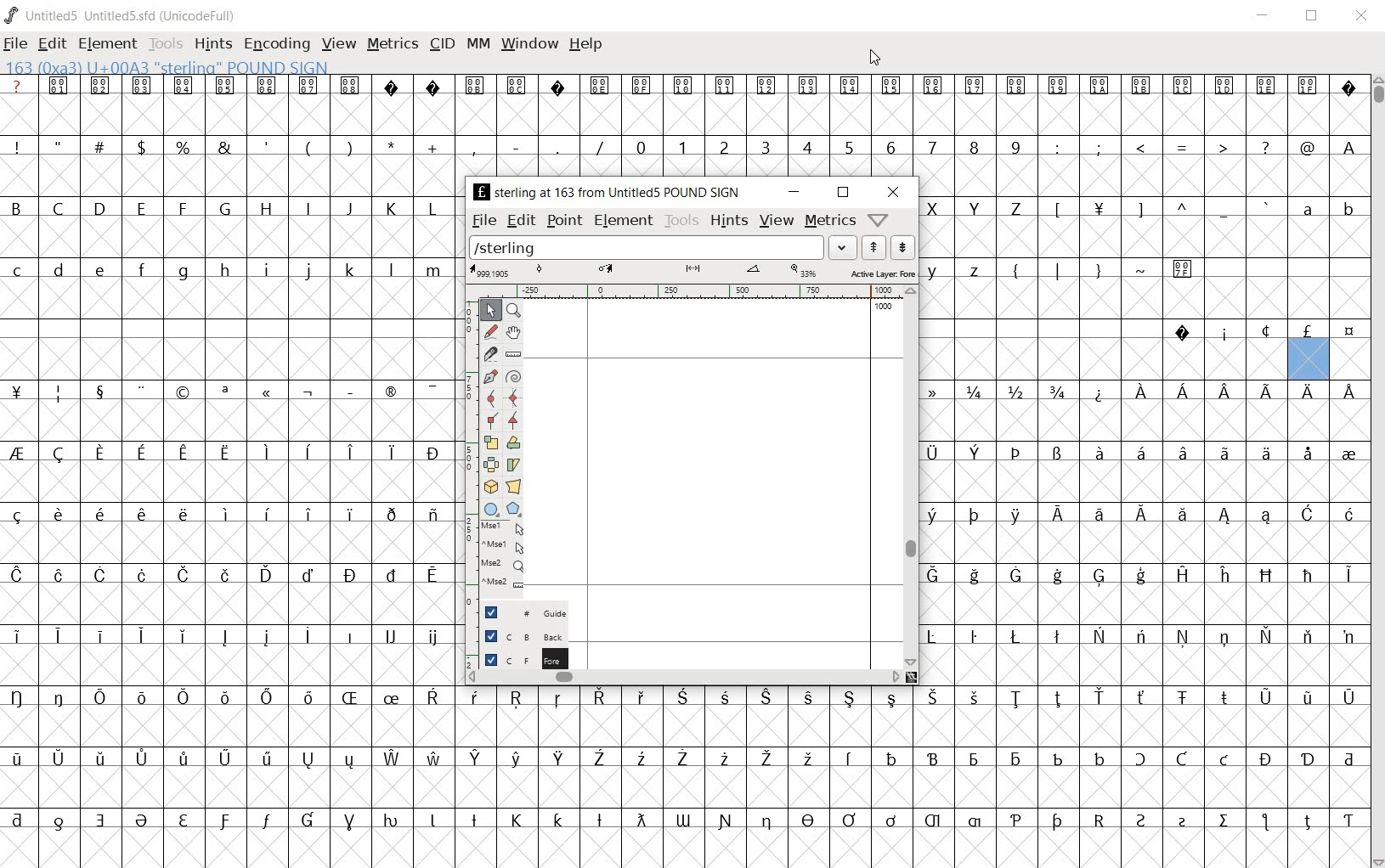  I want to click on Mouse left button, so click(505, 528).